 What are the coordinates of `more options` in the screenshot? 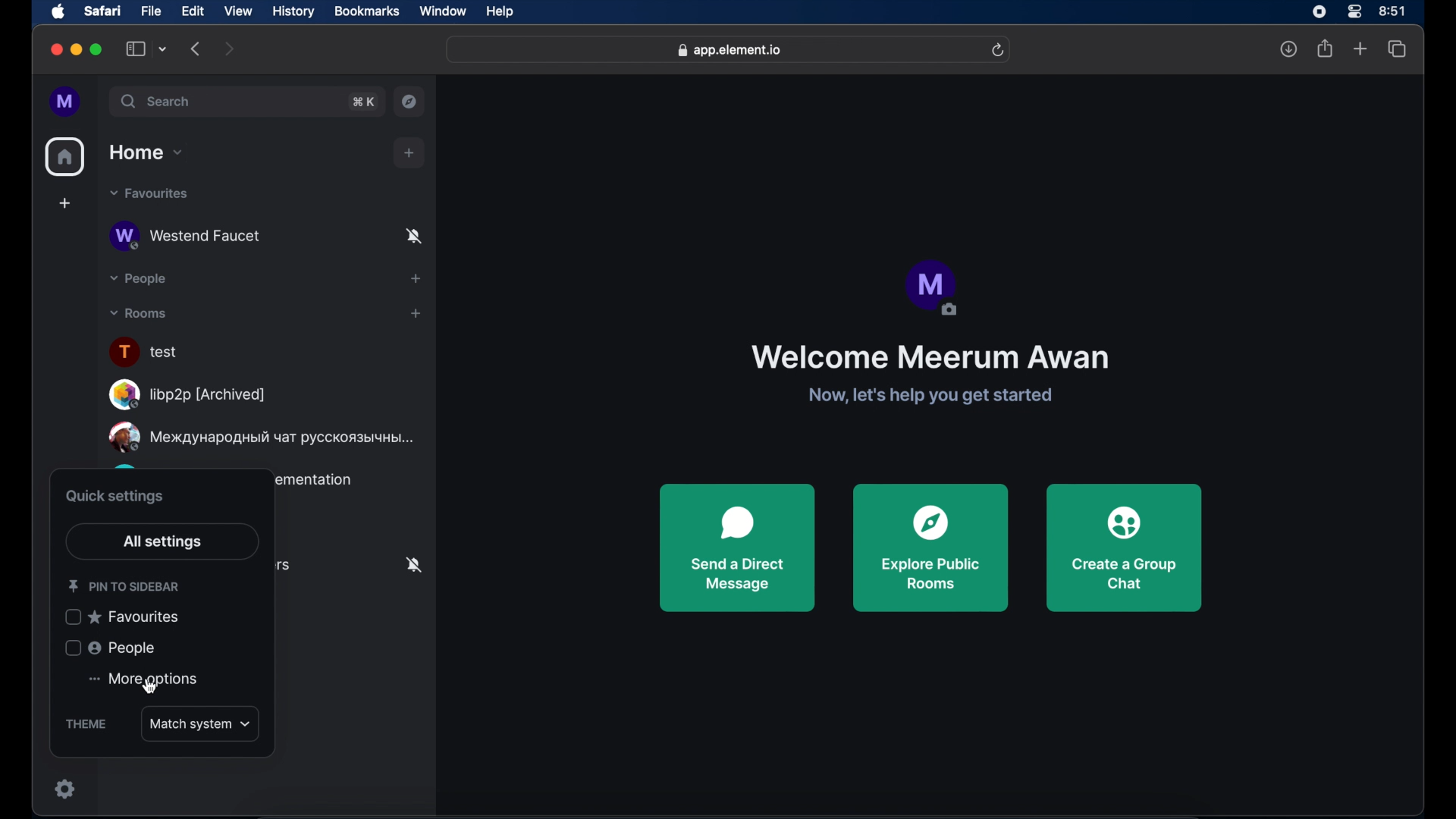 It's located at (141, 679).